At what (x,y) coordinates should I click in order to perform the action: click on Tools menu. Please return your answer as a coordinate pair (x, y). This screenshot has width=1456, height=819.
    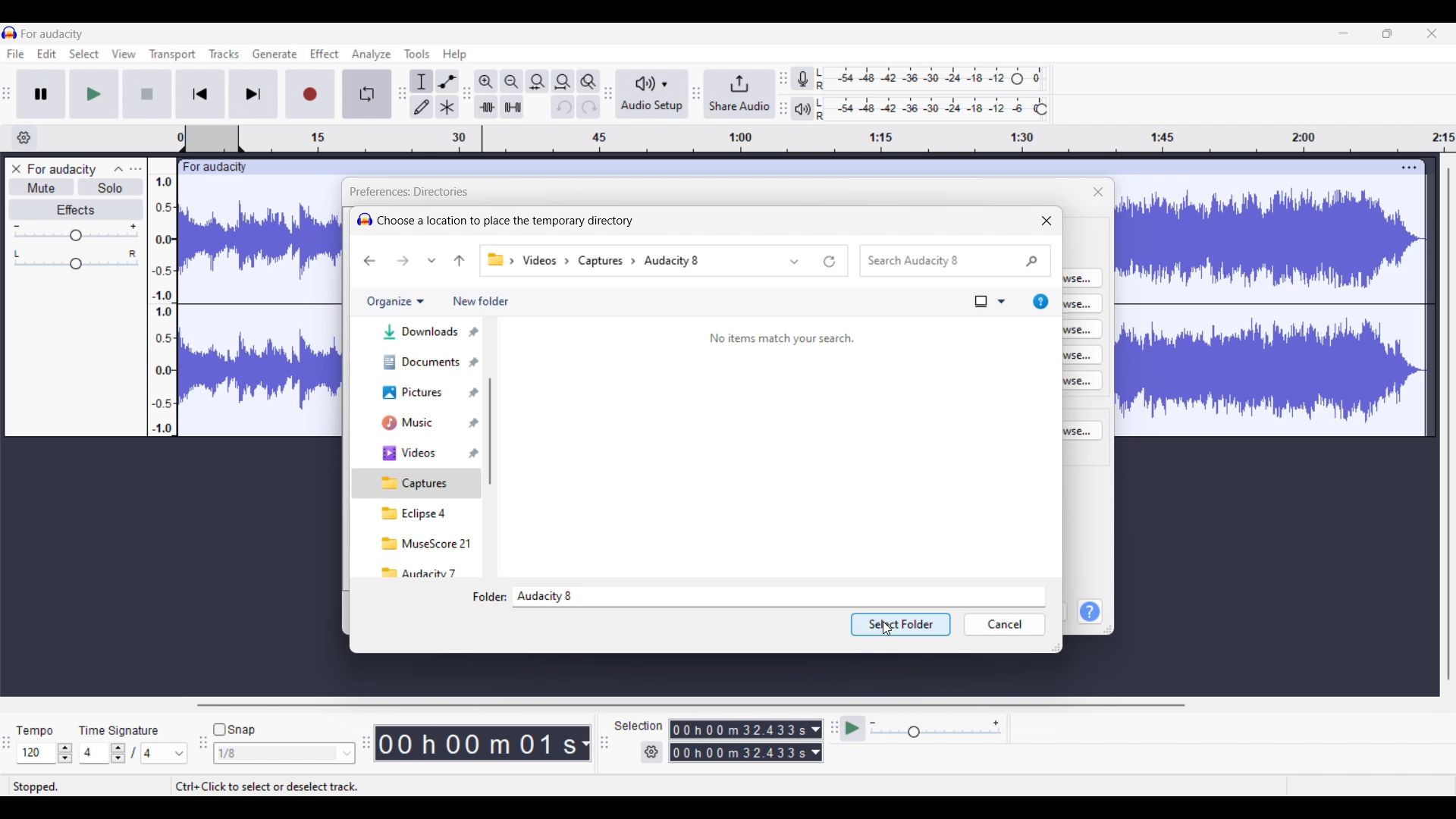
    Looking at the image, I should click on (417, 54).